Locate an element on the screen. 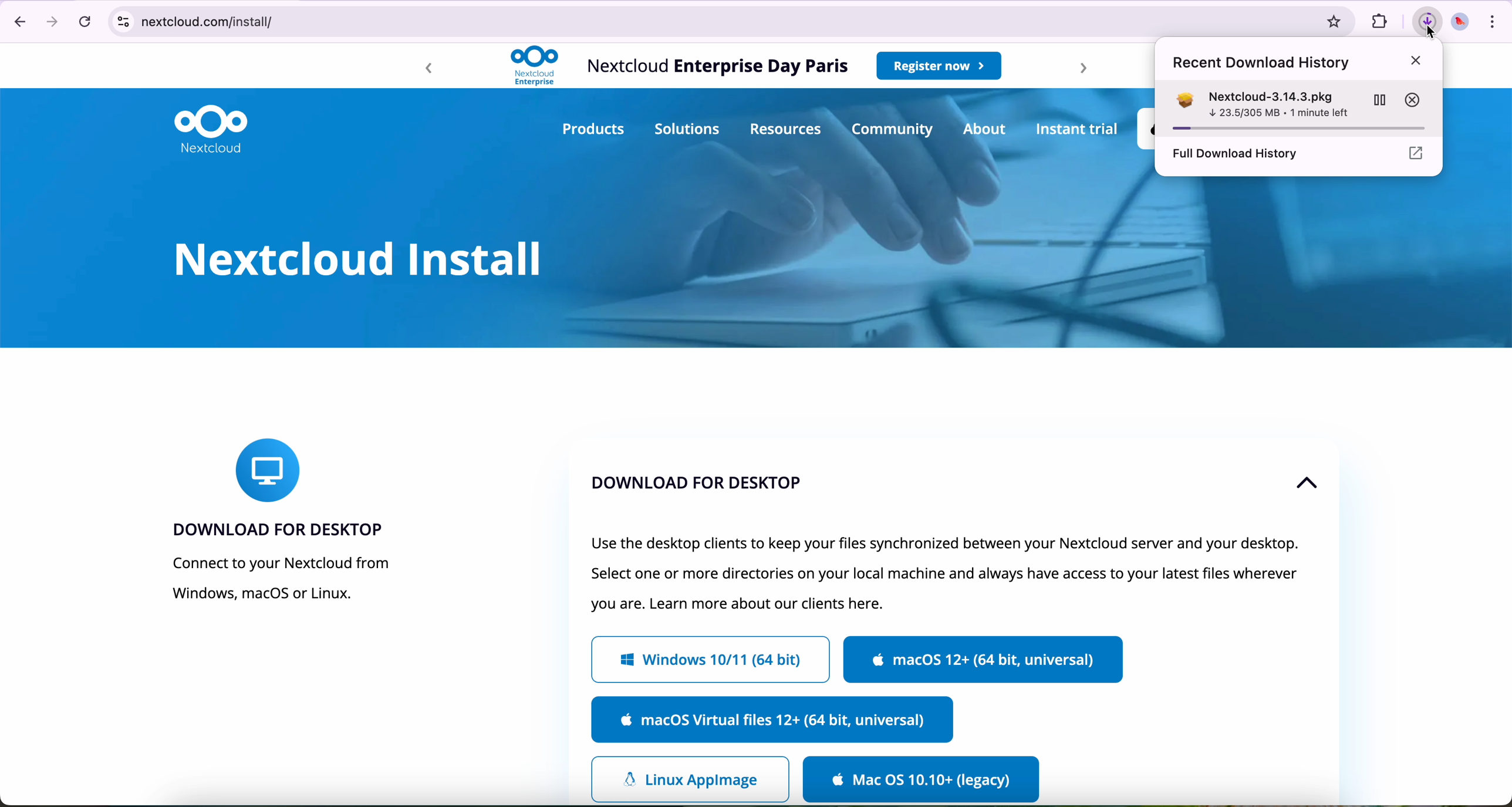  navigate back is located at coordinates (18, 21).